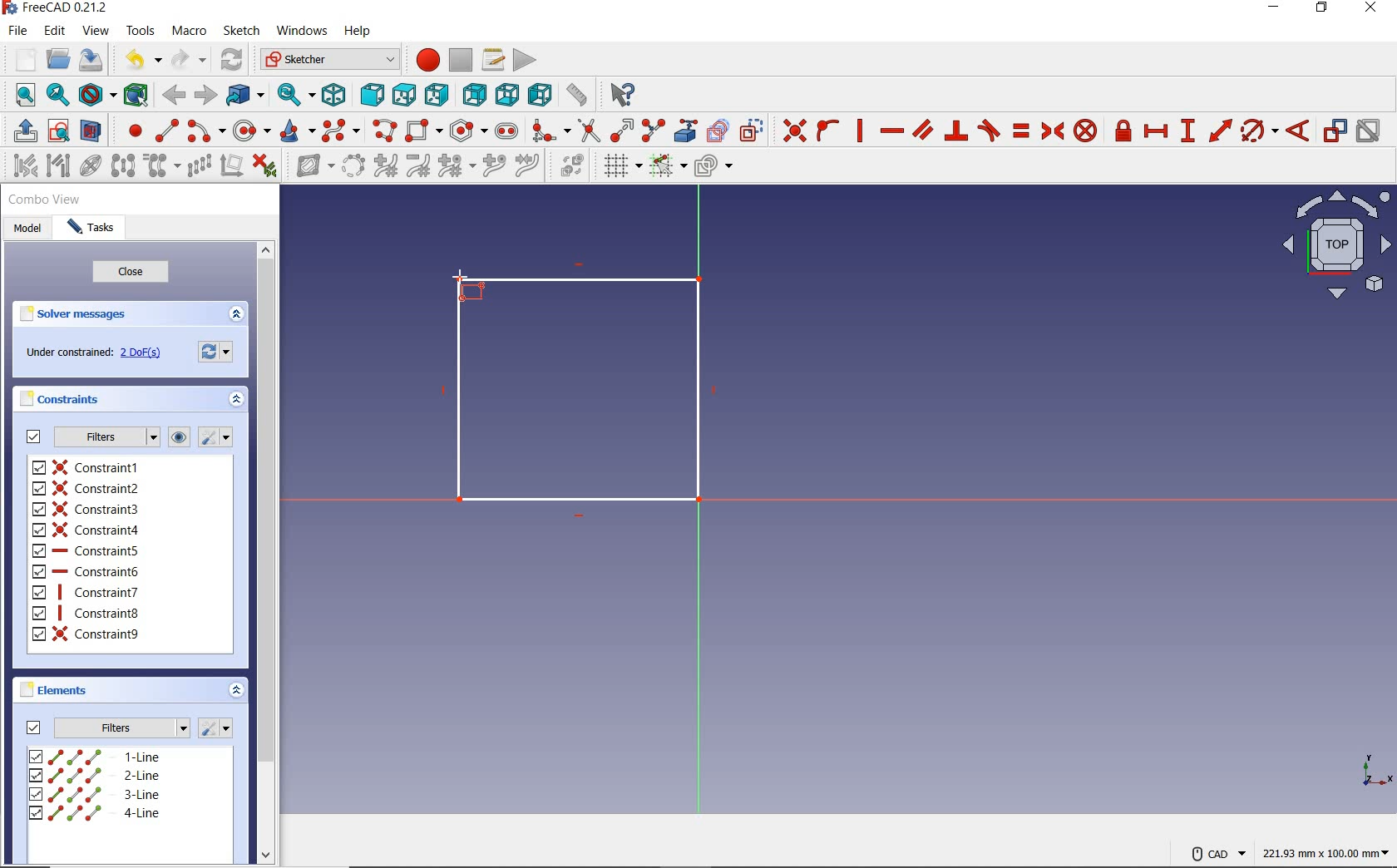 This screenshot has width=1397, height=868. Describe the element at coordinates (127, 757) in the screenshot. I see `1-line` at that location.